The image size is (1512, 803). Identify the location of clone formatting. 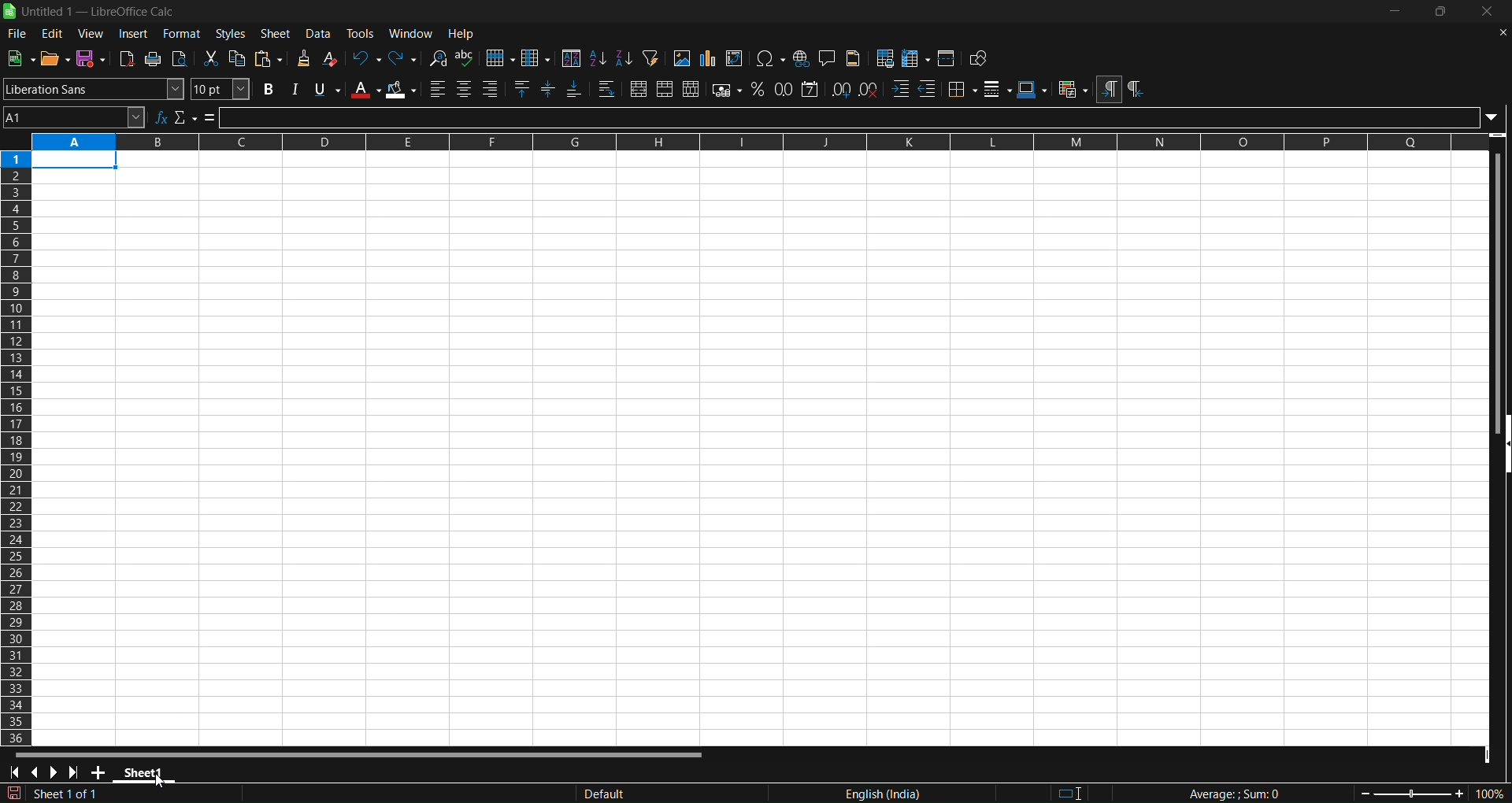
(302, 59).